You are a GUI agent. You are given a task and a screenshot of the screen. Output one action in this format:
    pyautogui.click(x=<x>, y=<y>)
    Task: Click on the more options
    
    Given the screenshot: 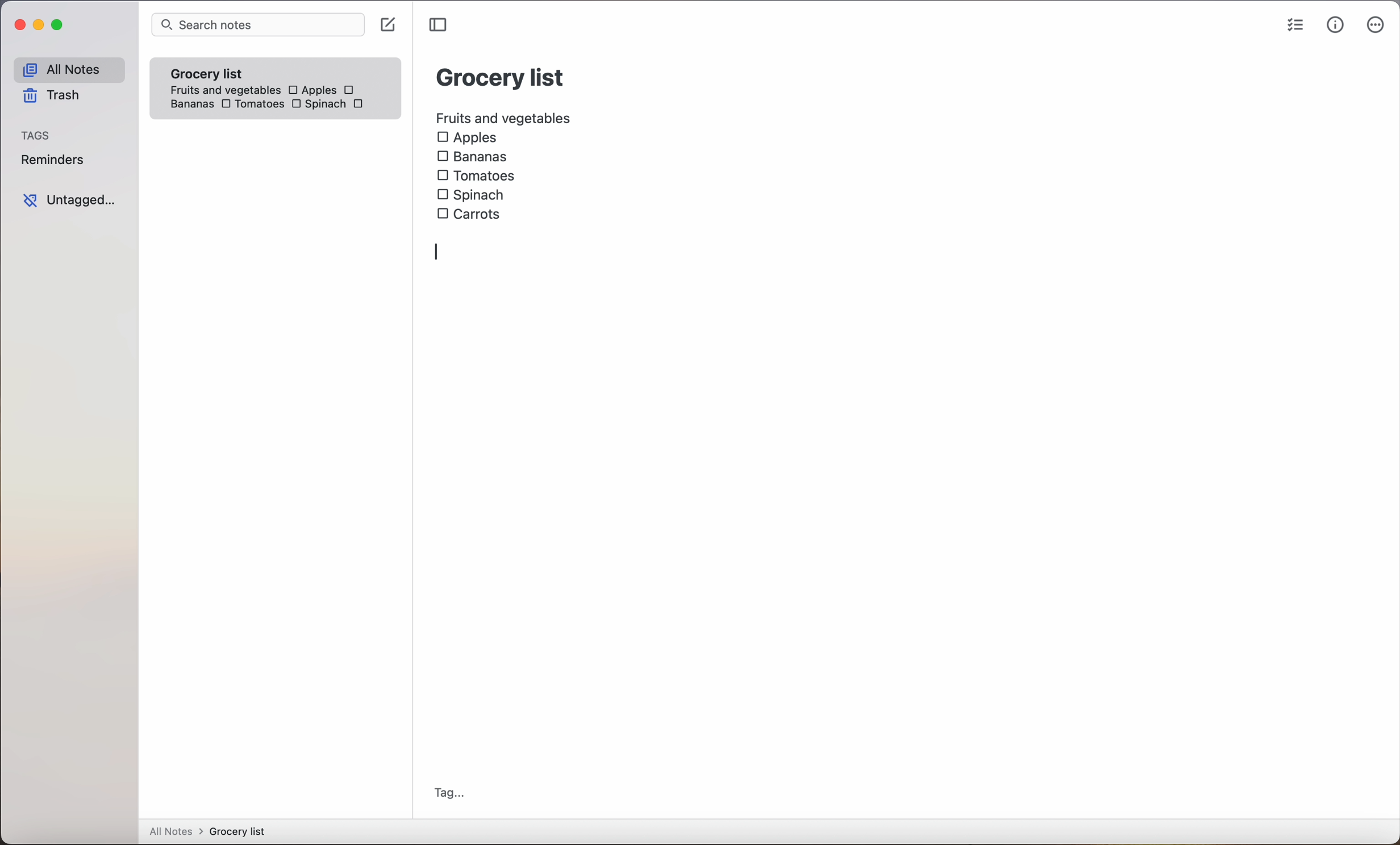 What is the action you would take?
    pyautogui.click(x=1376, y=27)
    